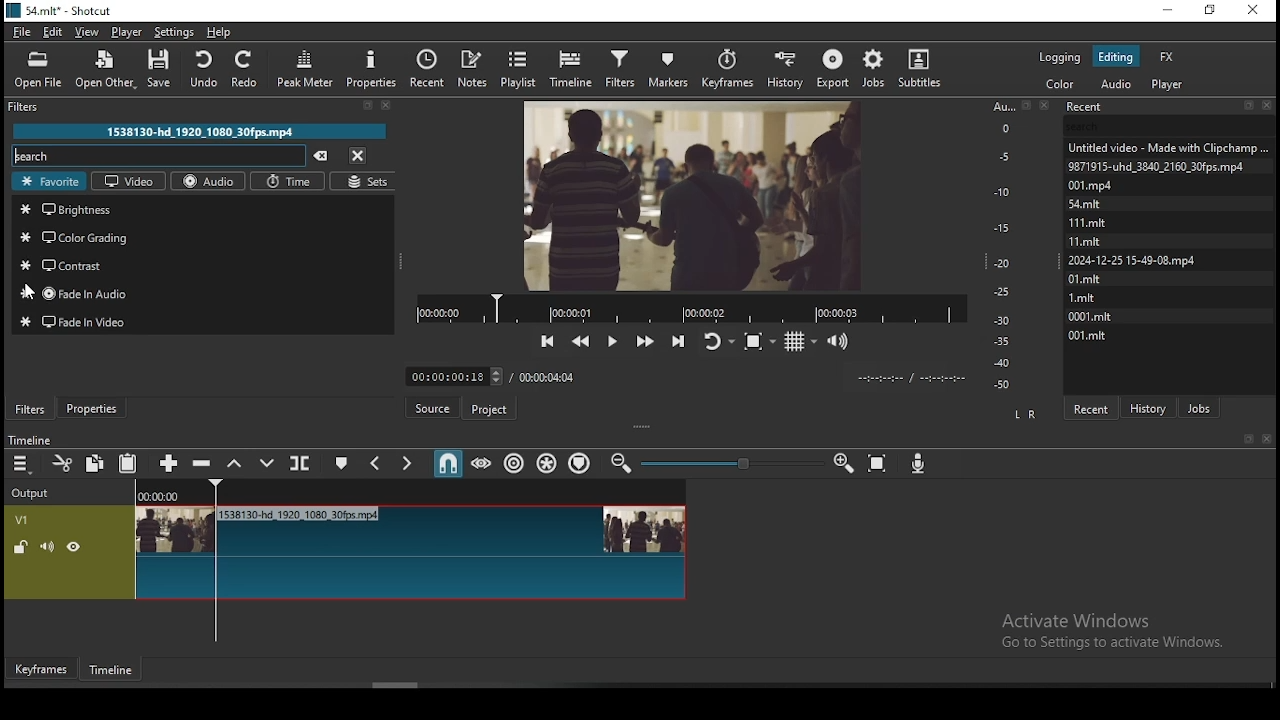 This screenshot has width=1280, height=720. Describe the element at coordinates (175, 32) in the screenshot. I see `settings` at that location.